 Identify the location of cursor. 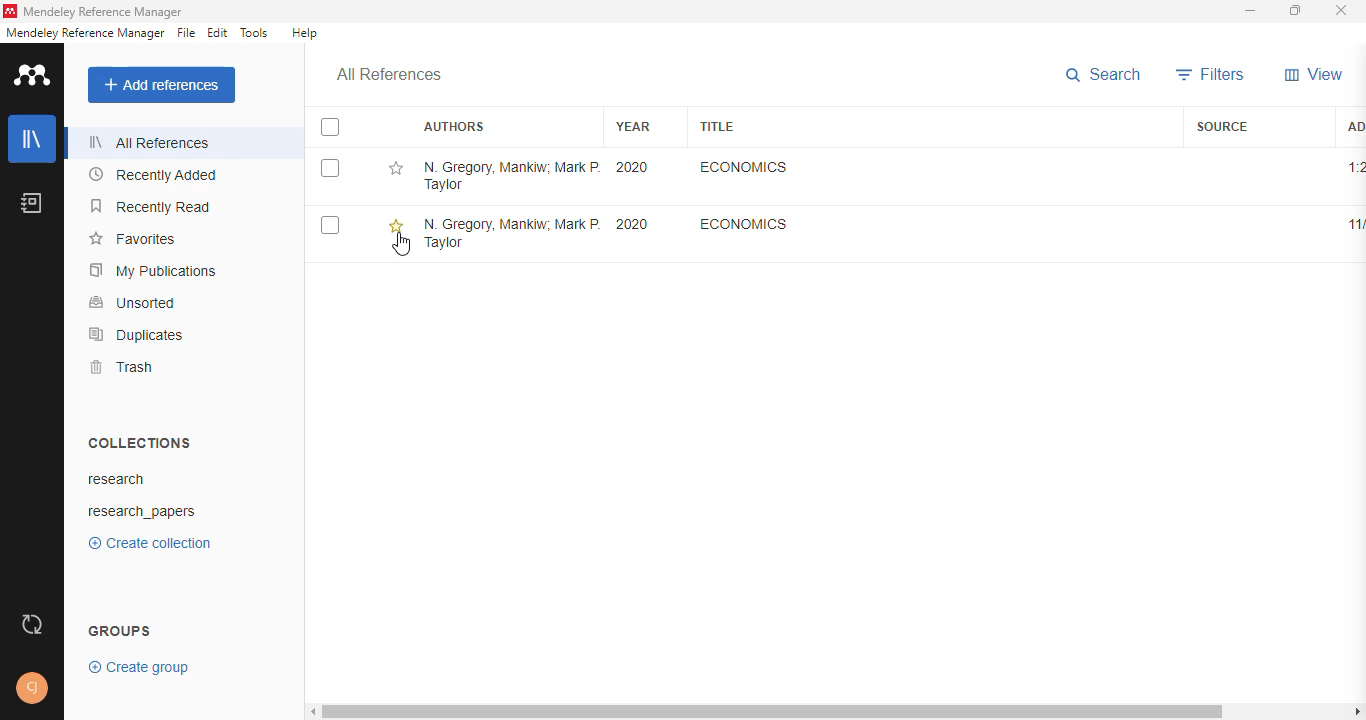
(402, 245).